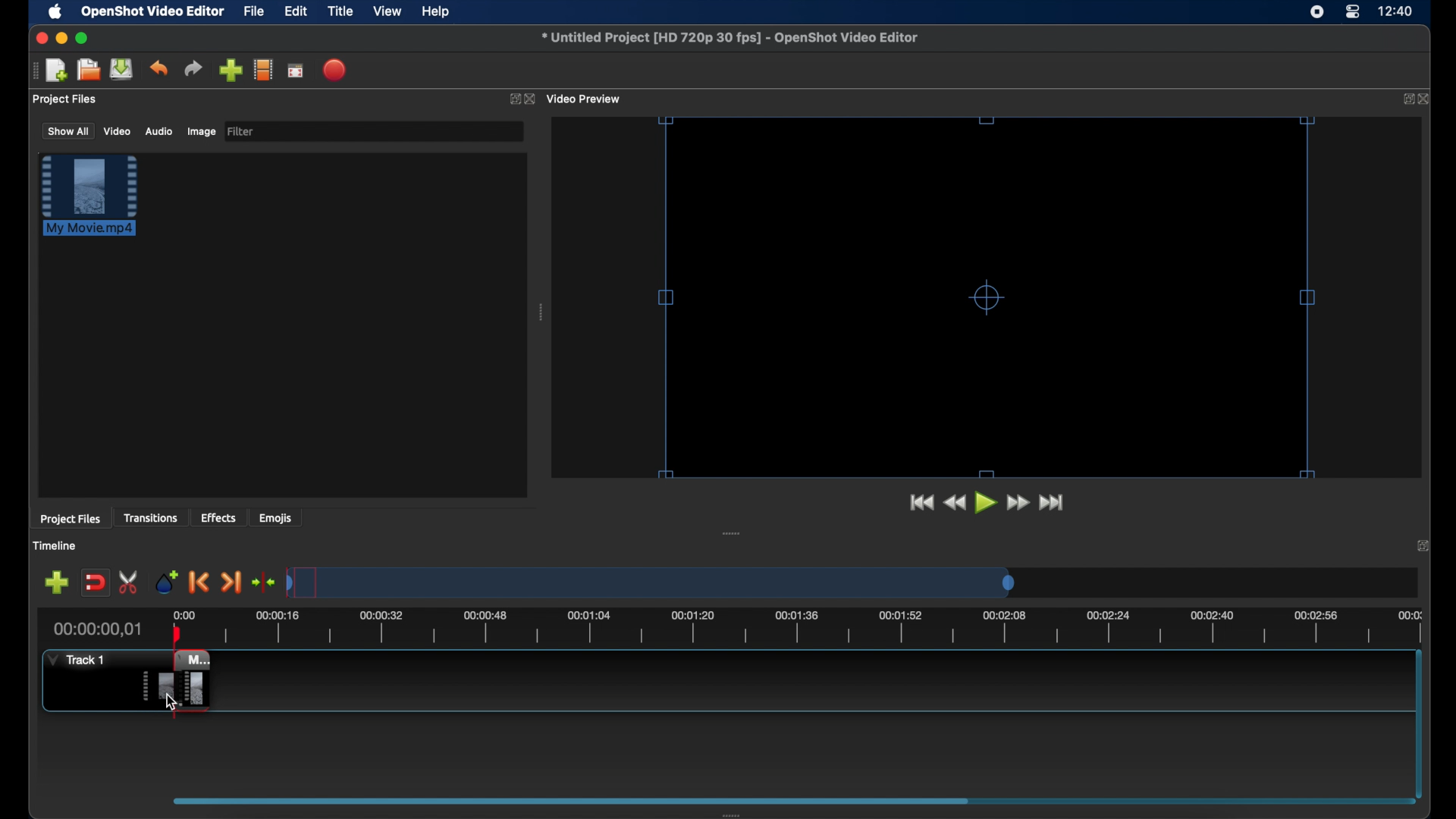 This screenshot has height=819, width=1456. I want to click on audio, so click(158, 132).